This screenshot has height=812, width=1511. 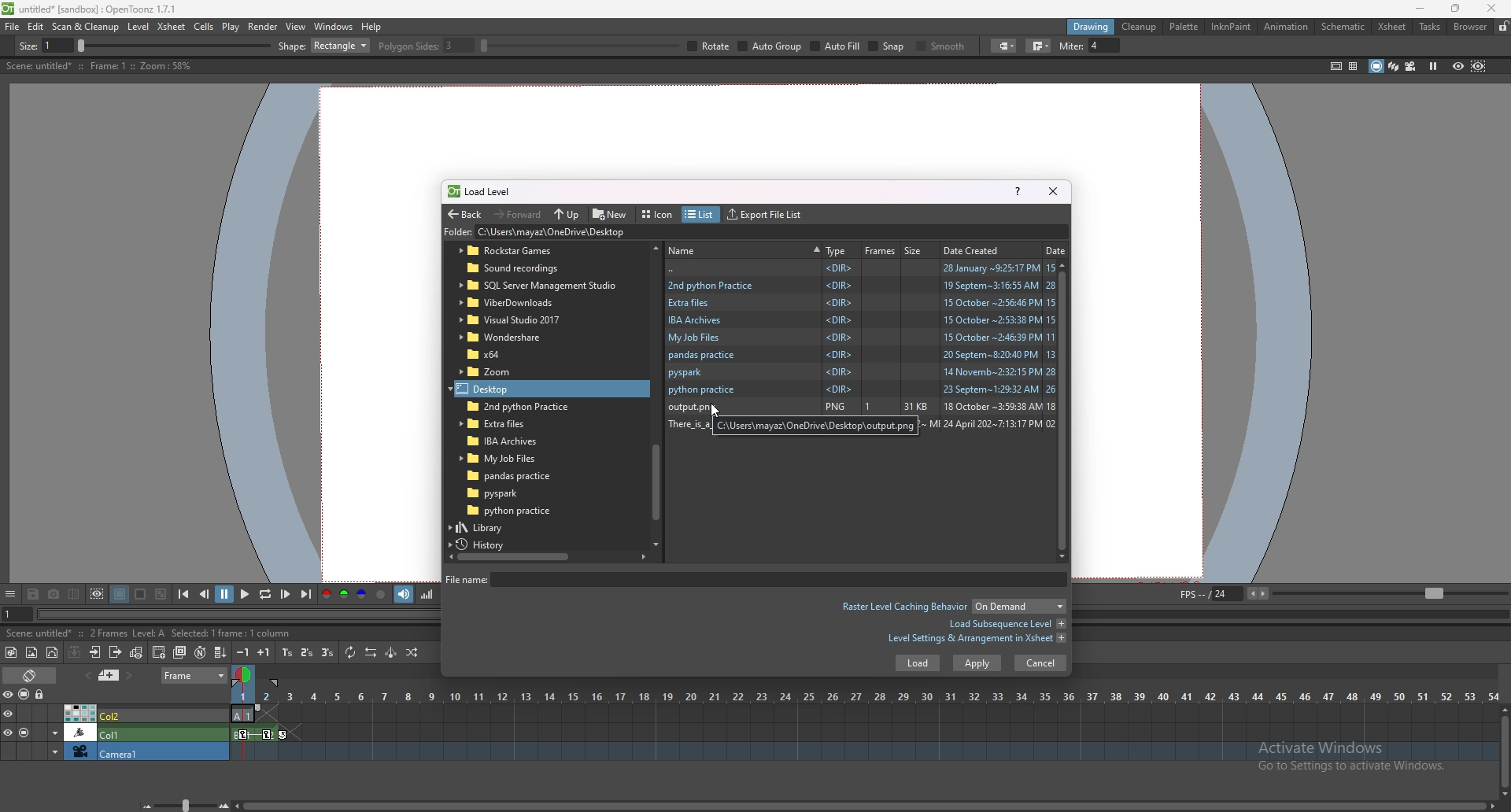 What do you see at coordinates (862, 372) in the screenshot?
I see `folder` at bounding box center [862, 372].